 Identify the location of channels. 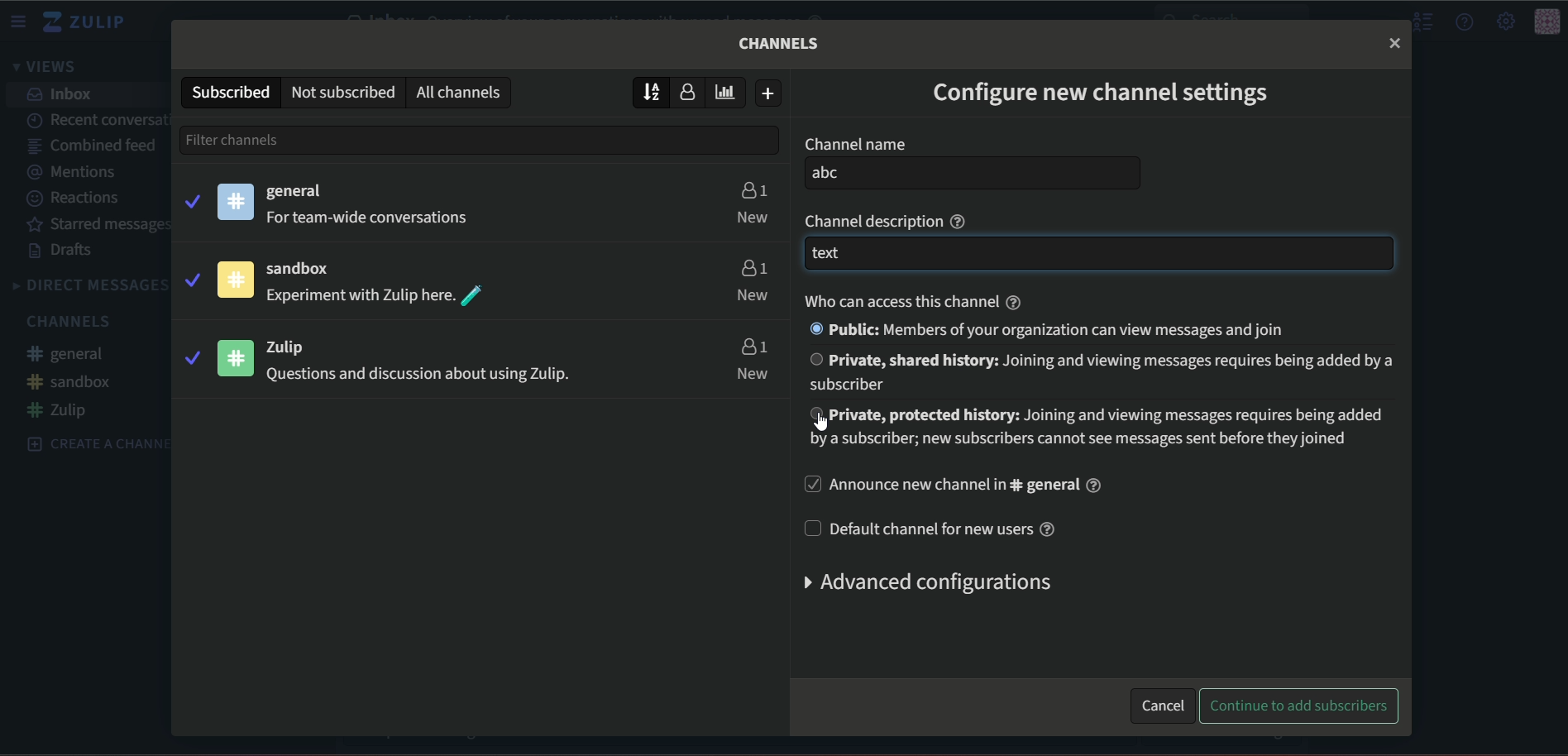
(73, 321).